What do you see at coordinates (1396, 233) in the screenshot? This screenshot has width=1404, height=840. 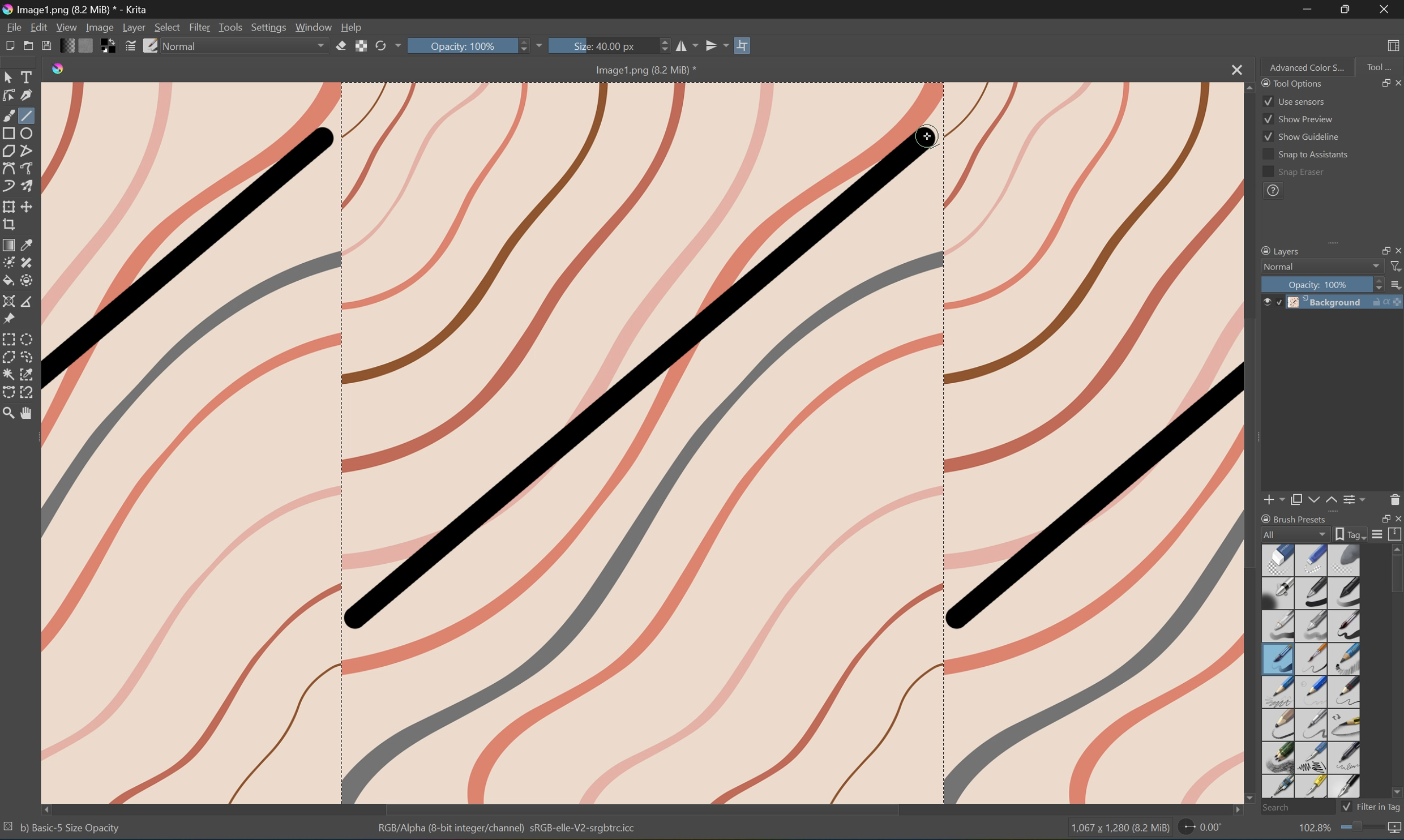 I see `Scroll Right` at bounding box center [1396, 233].